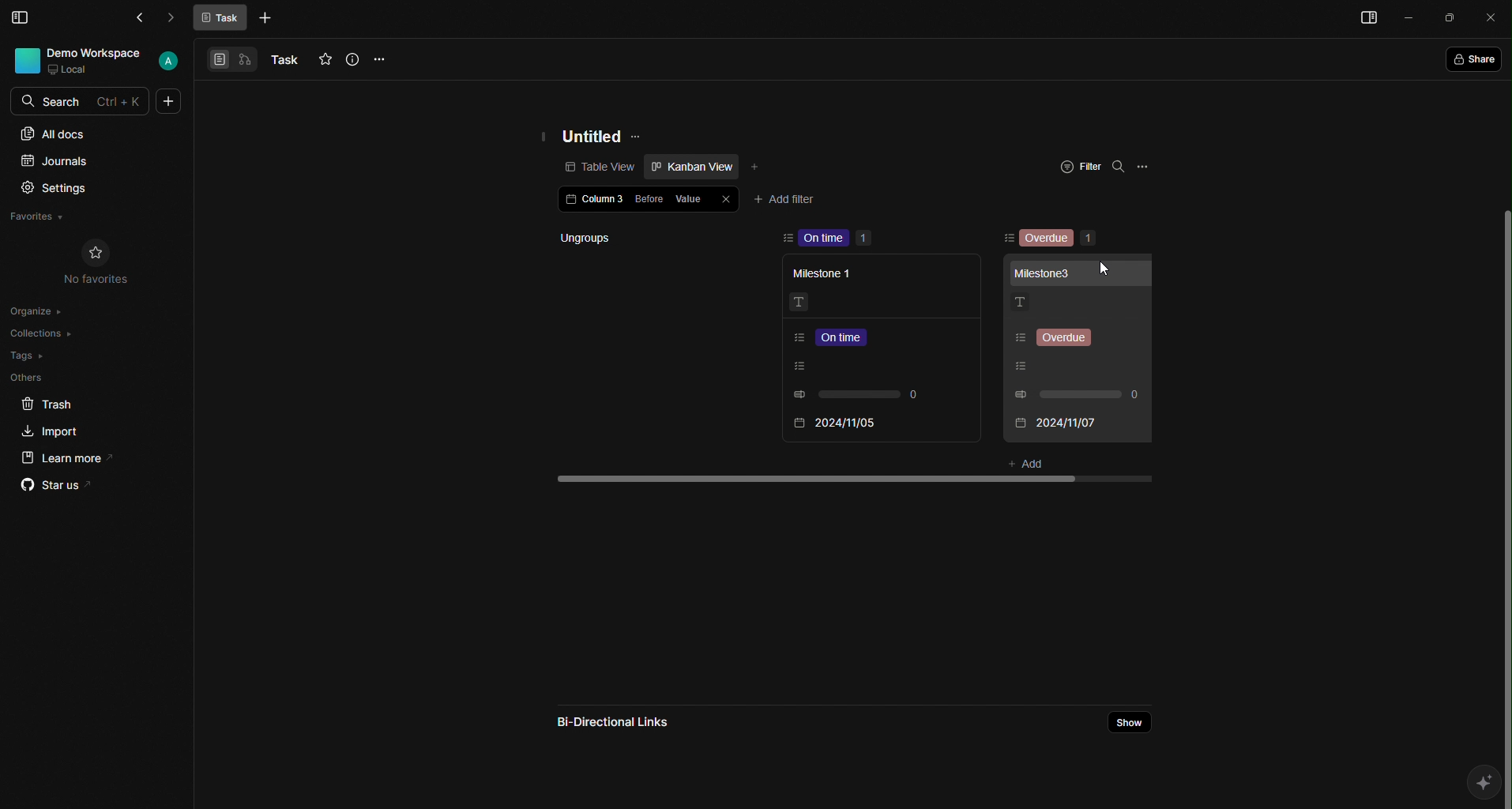 The width and height of the screenshot is (1512, 809). I want to click on scroll, so click(859, 478).